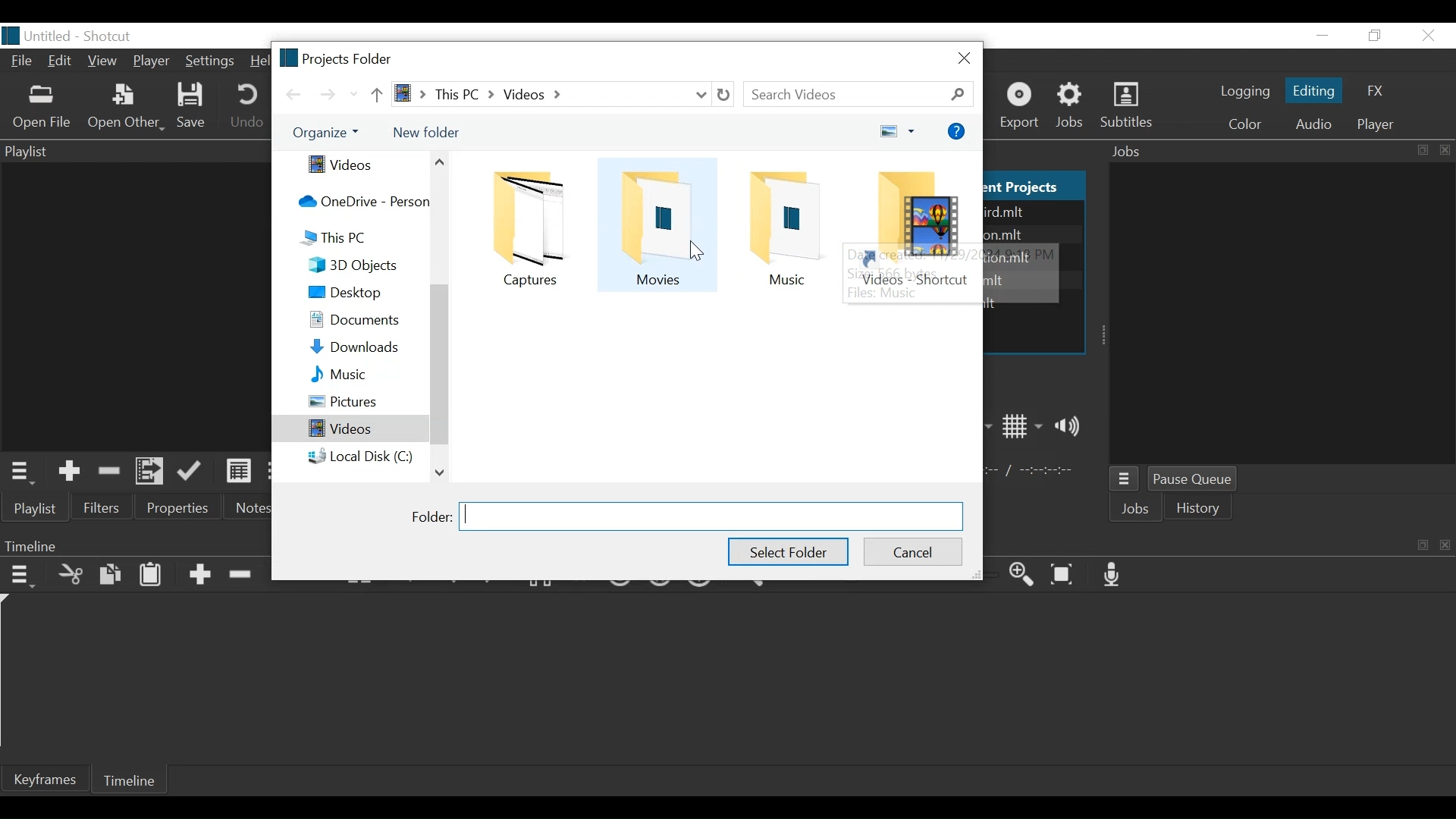  I want to click on close, so click(963, 58).